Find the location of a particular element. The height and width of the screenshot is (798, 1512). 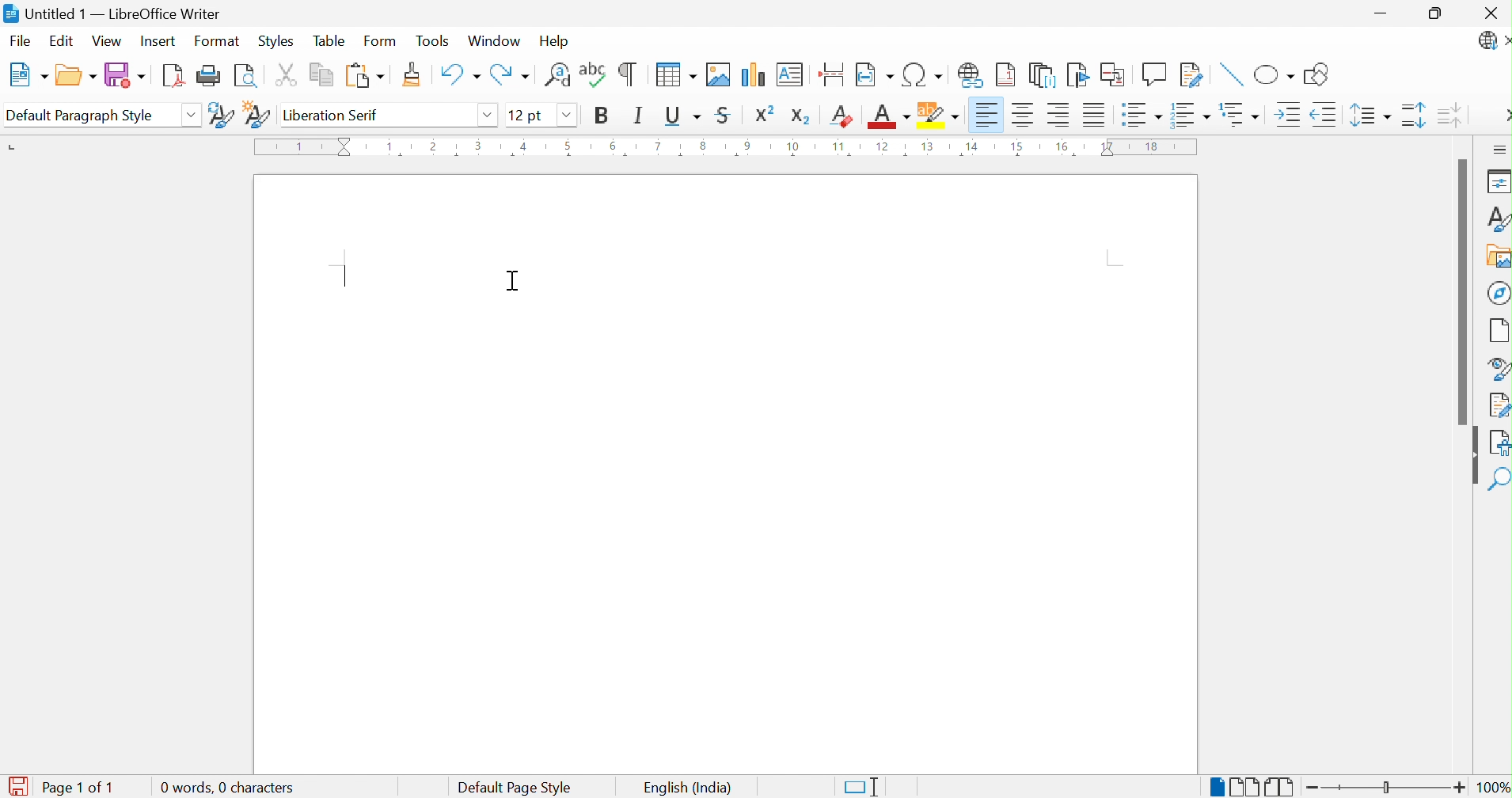

Toggle Unordered List is located at coordinates (1142, 114).